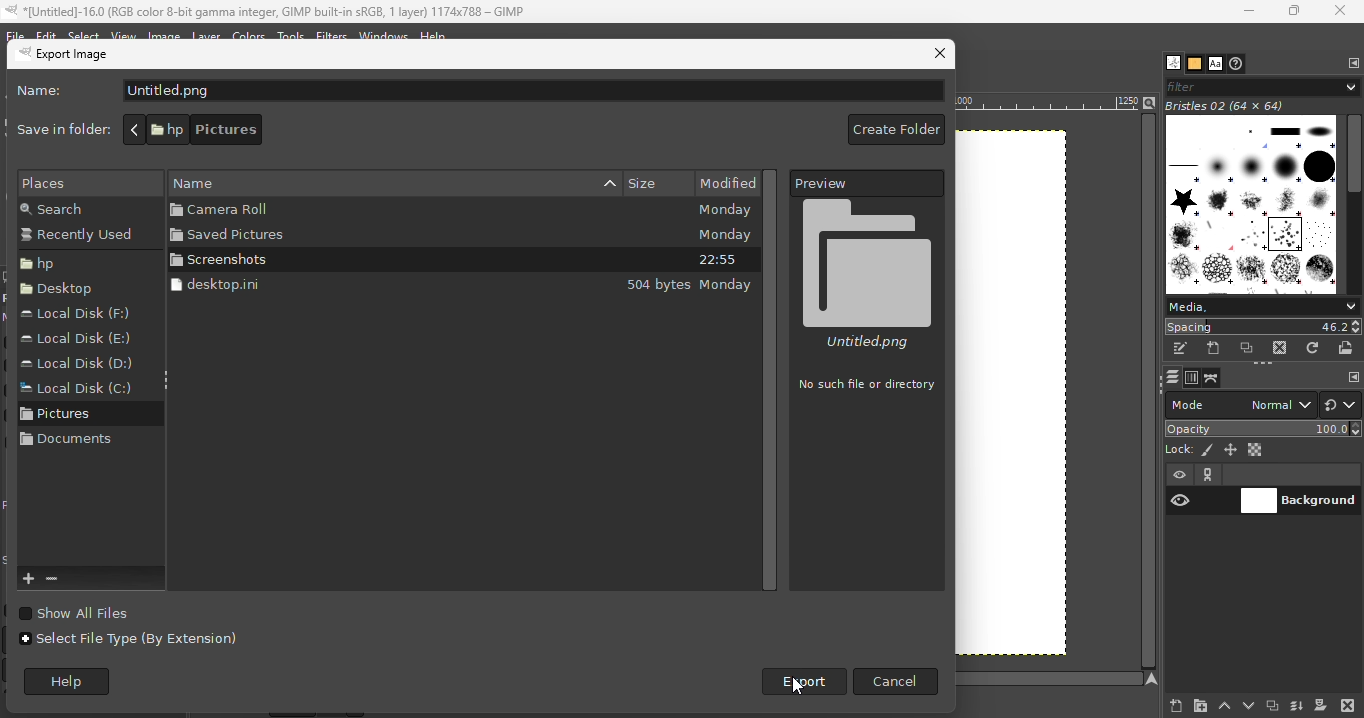 The width and height of the screenshot is (1364, 718). What do you see at coordinates (1257, 450) in the screenshot?
I see `Lock alpha channel` at bounding box center [1257, 450].